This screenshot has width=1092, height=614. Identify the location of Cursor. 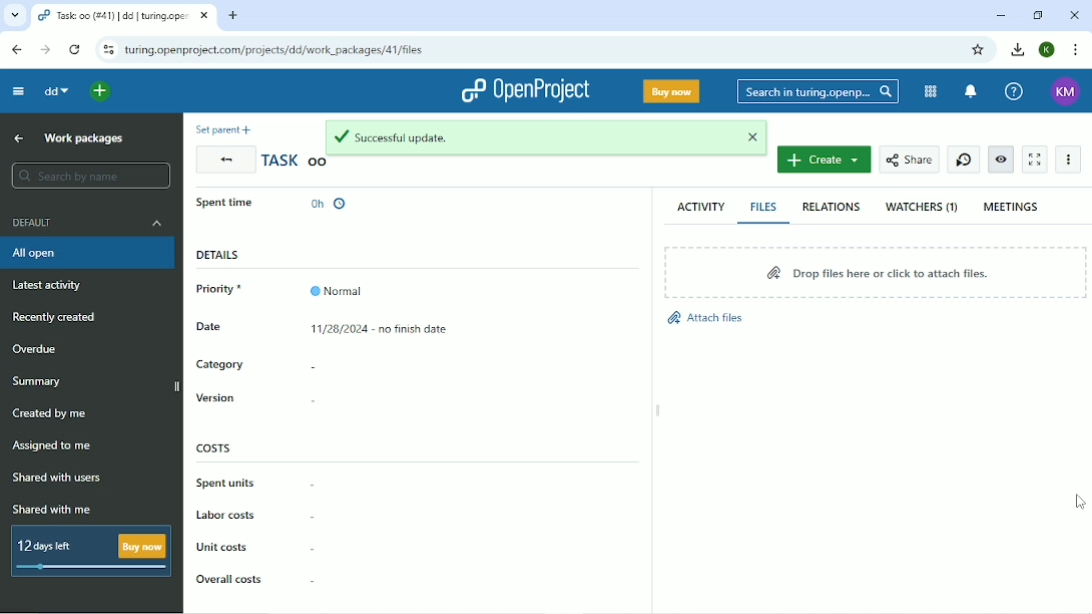
(1078, 502).